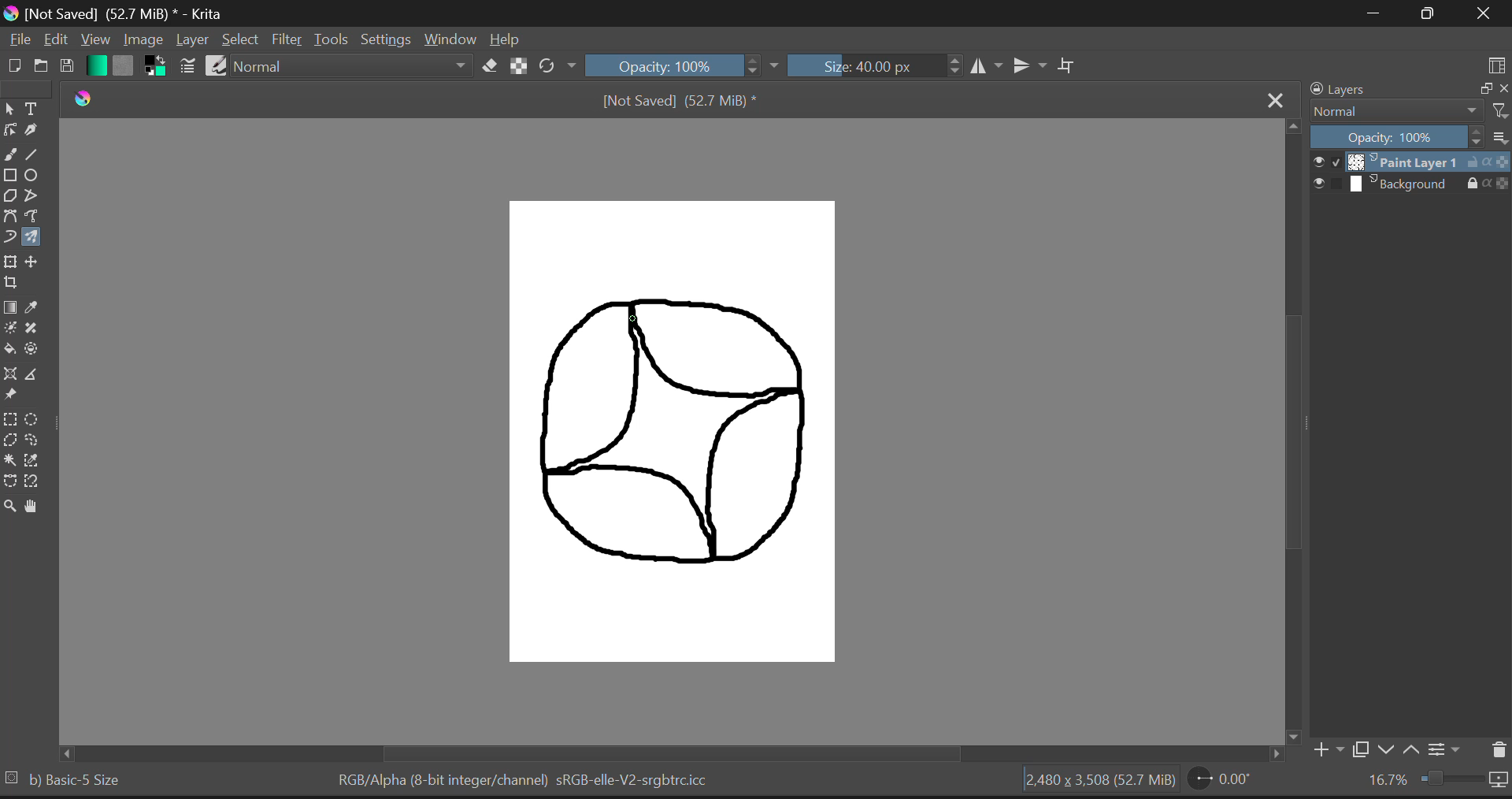 Image resolution: width=1512 pixels, height=799 pixels. I want to click on Settings, so click(387, 40).